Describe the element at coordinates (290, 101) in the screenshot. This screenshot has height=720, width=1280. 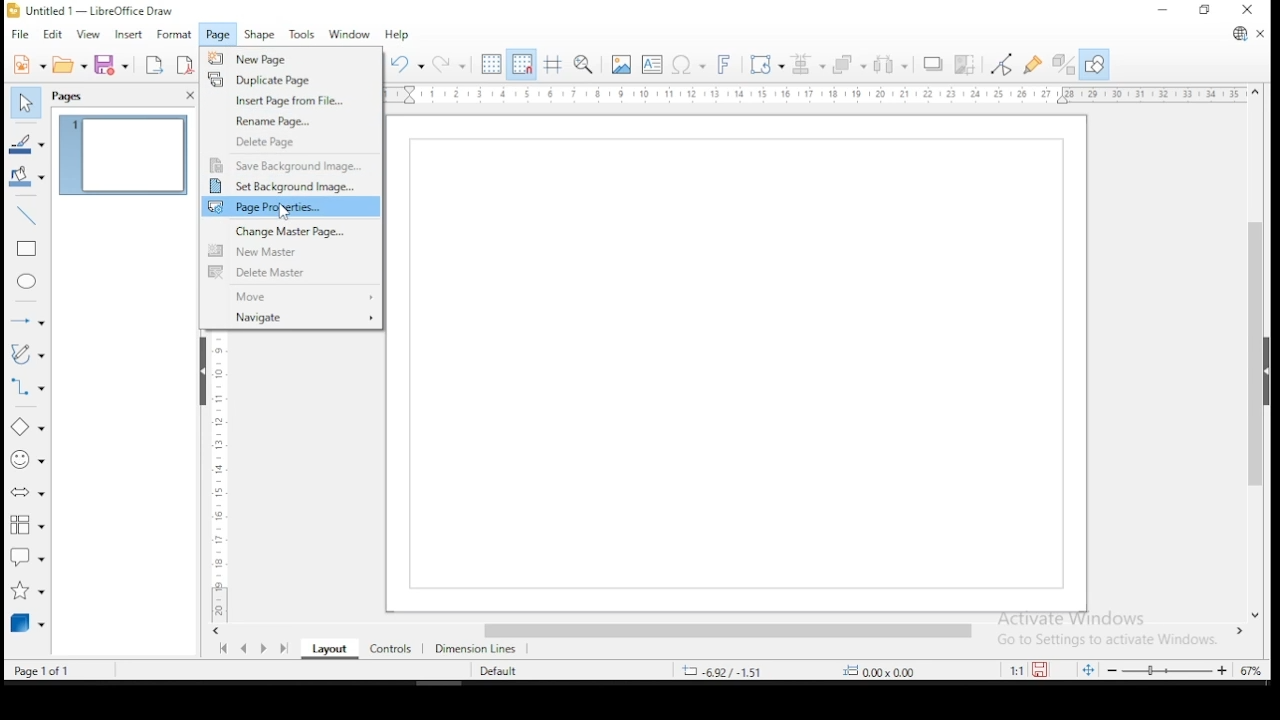
I see `insert page from file` at that location.